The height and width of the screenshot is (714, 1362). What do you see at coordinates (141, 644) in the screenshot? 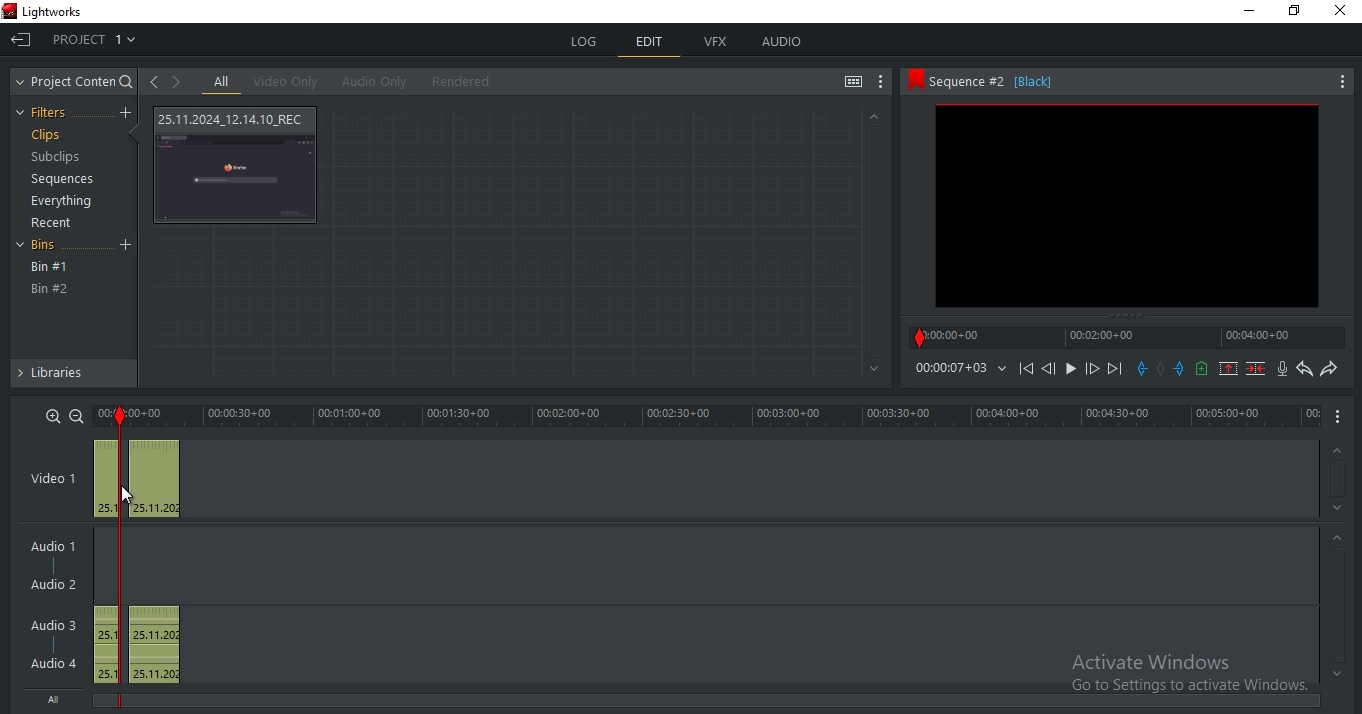
I see `audio` at bounding box center [141, 644].